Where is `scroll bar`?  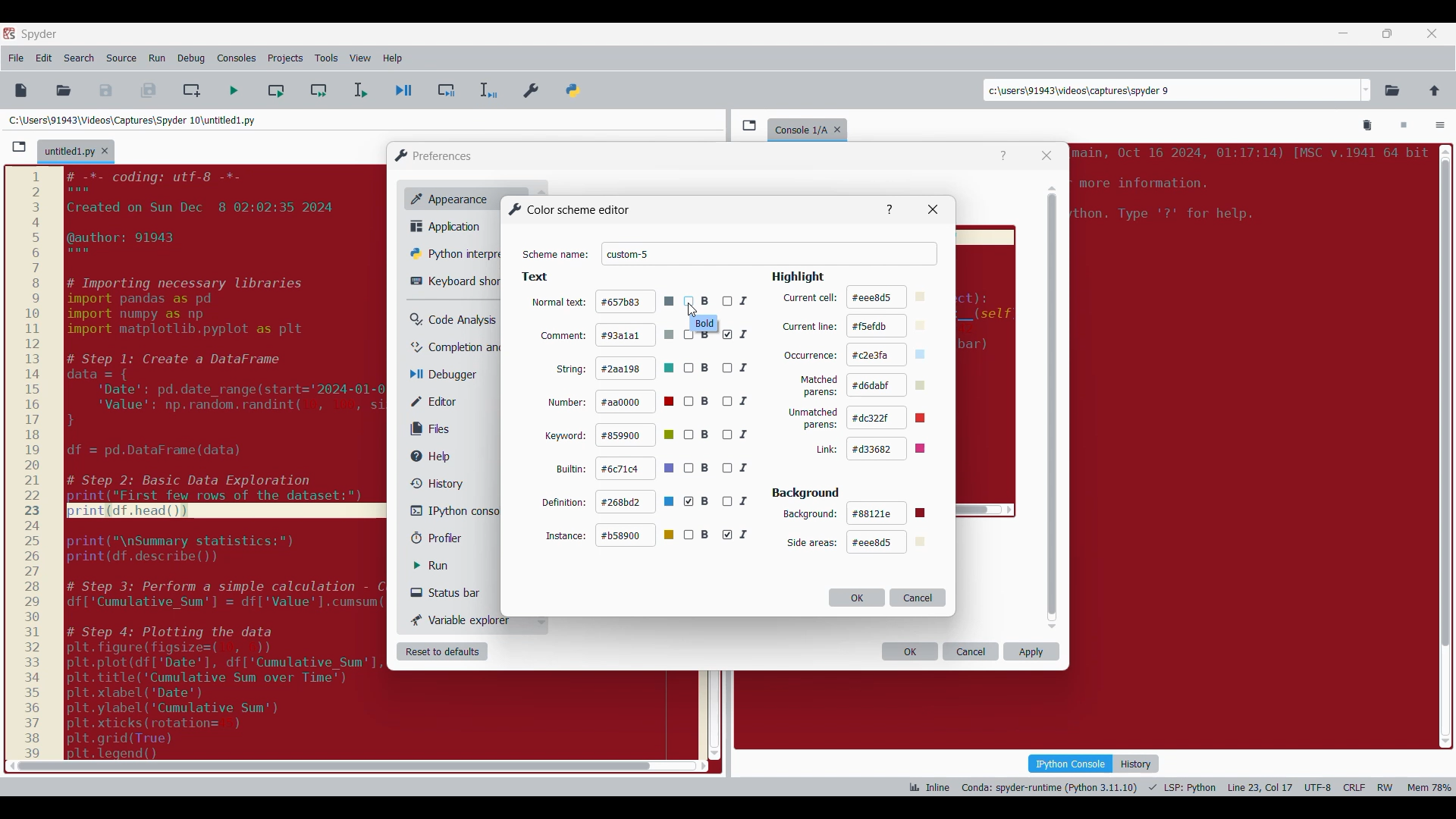 scroll bar is located at coordinates (329, 765).